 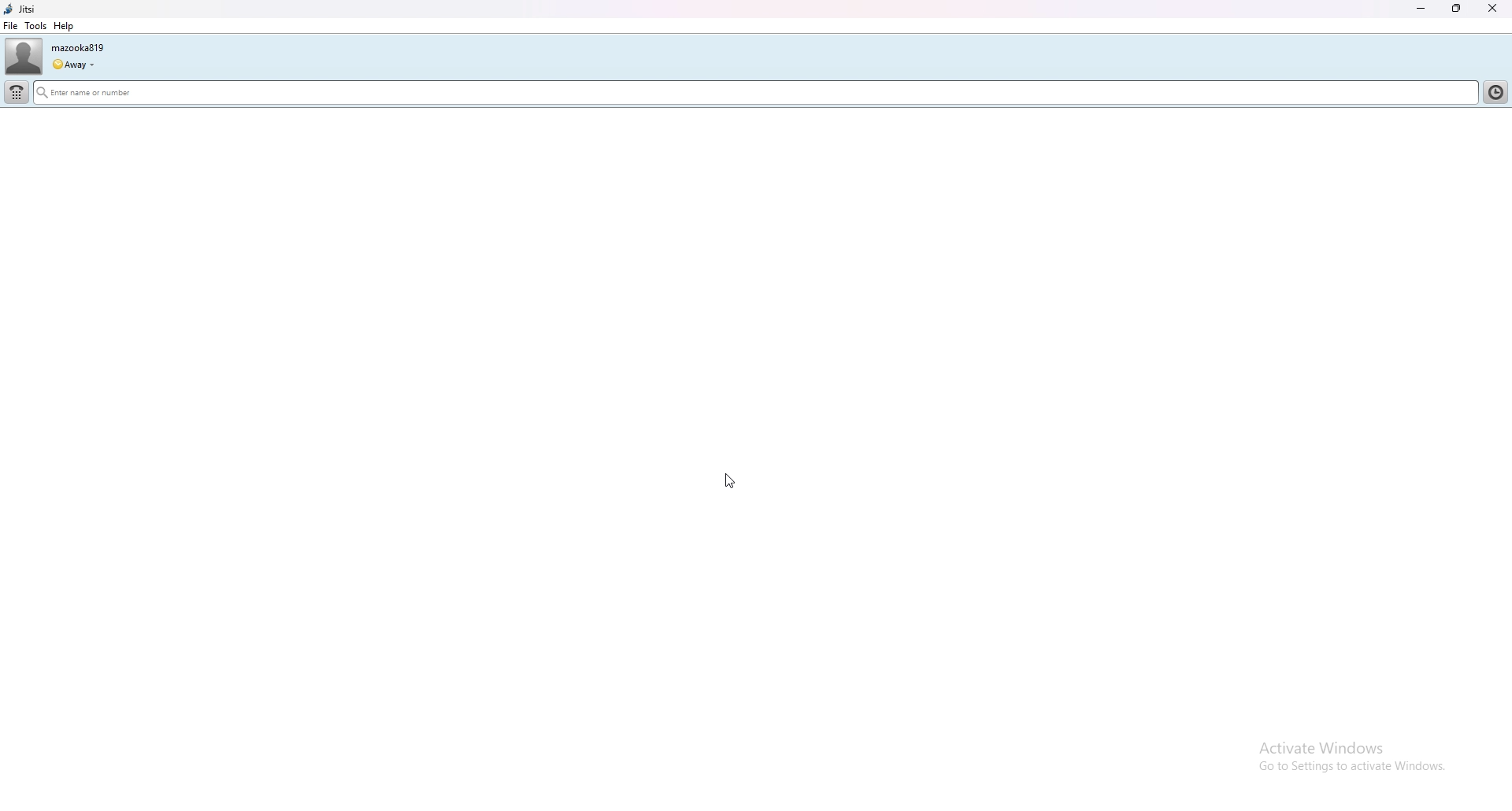 What do you see at coordinates (1458, 9) in the screenshot?
I see `resize` at bounding box center [1458, 9].